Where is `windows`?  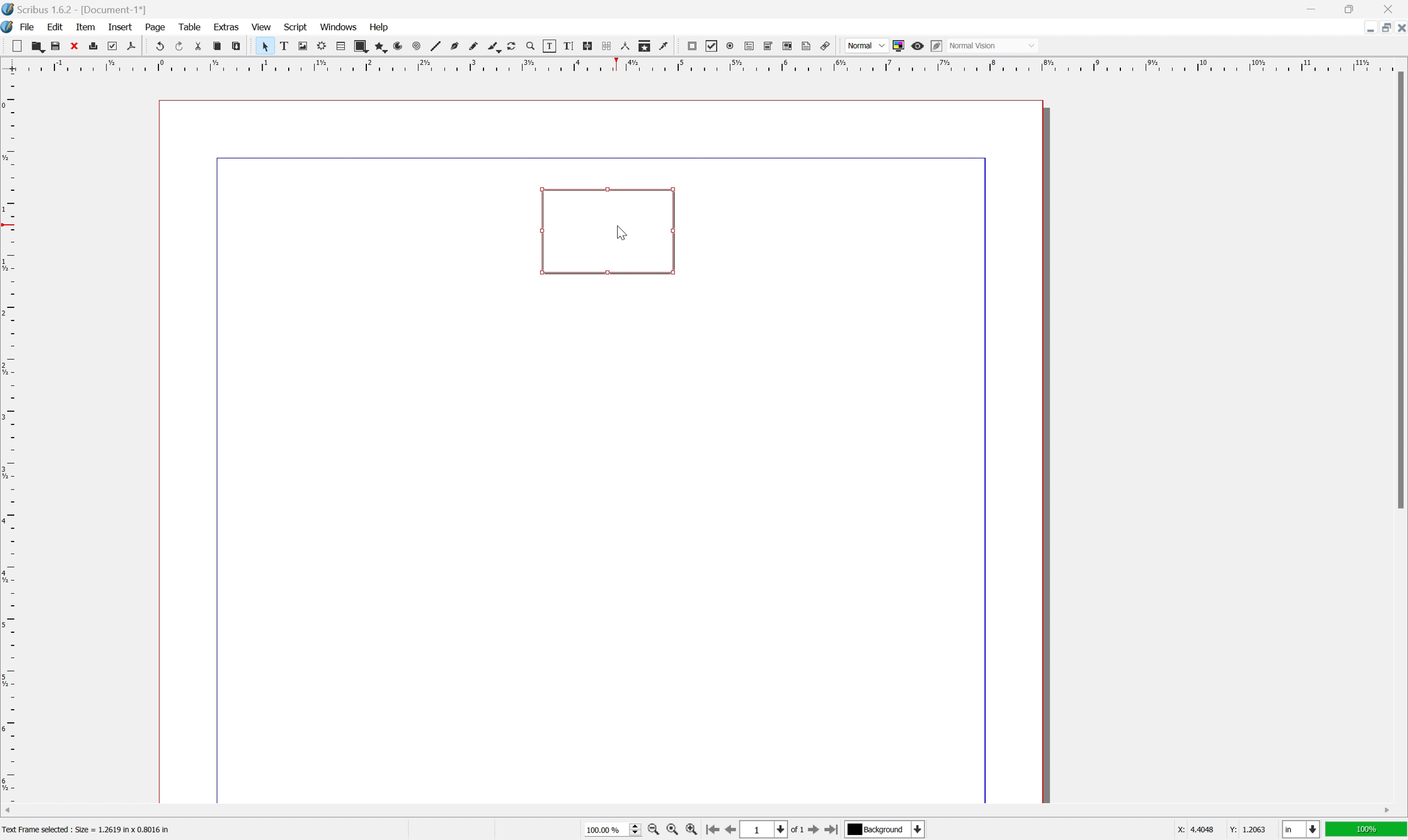
windows is located at coordinates (339, 27).